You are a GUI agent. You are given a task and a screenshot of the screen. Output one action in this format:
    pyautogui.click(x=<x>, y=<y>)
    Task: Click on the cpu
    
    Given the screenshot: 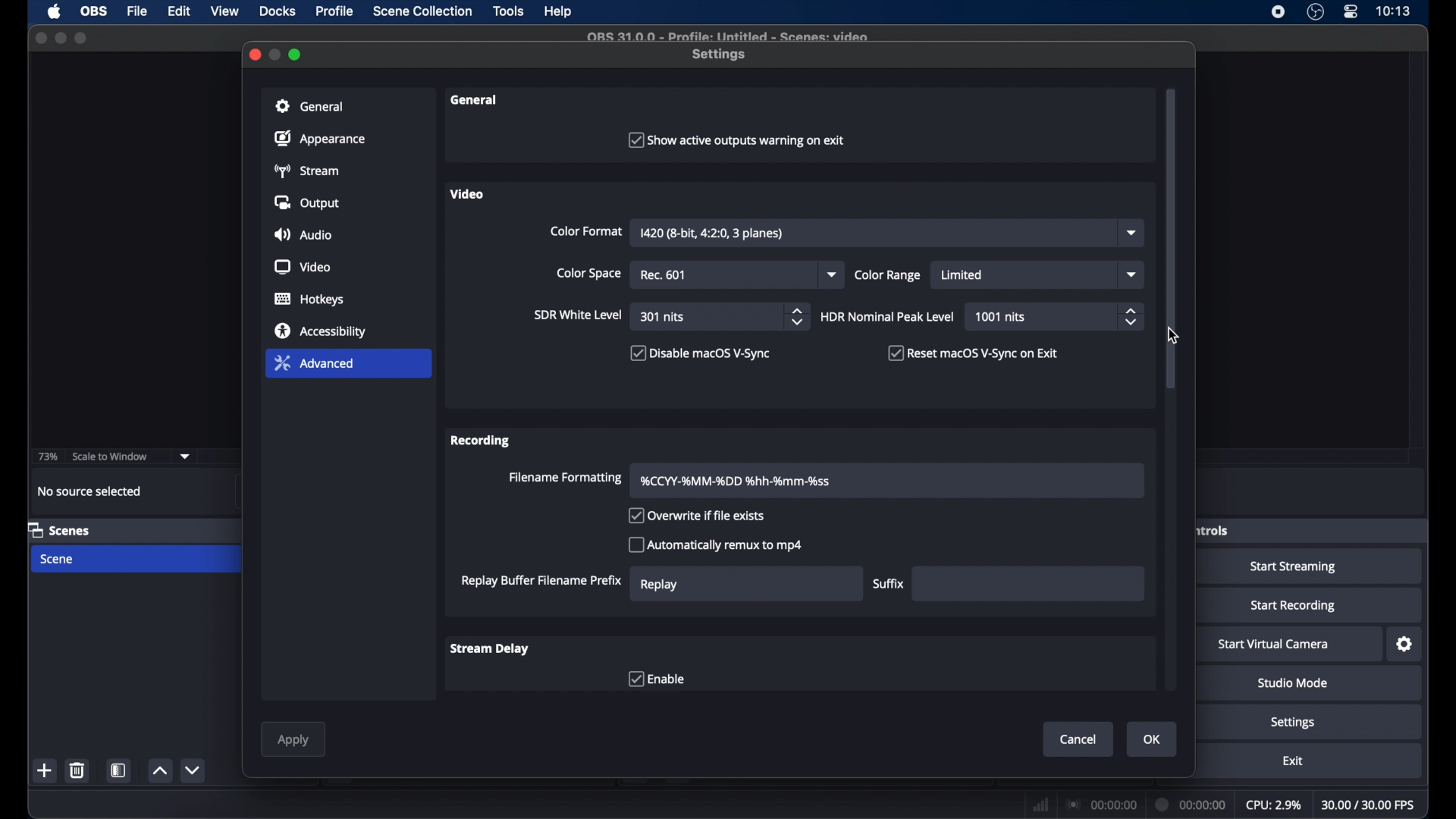 What is the action you would take?
    pyautogui.click(x=1274, y=805)
    